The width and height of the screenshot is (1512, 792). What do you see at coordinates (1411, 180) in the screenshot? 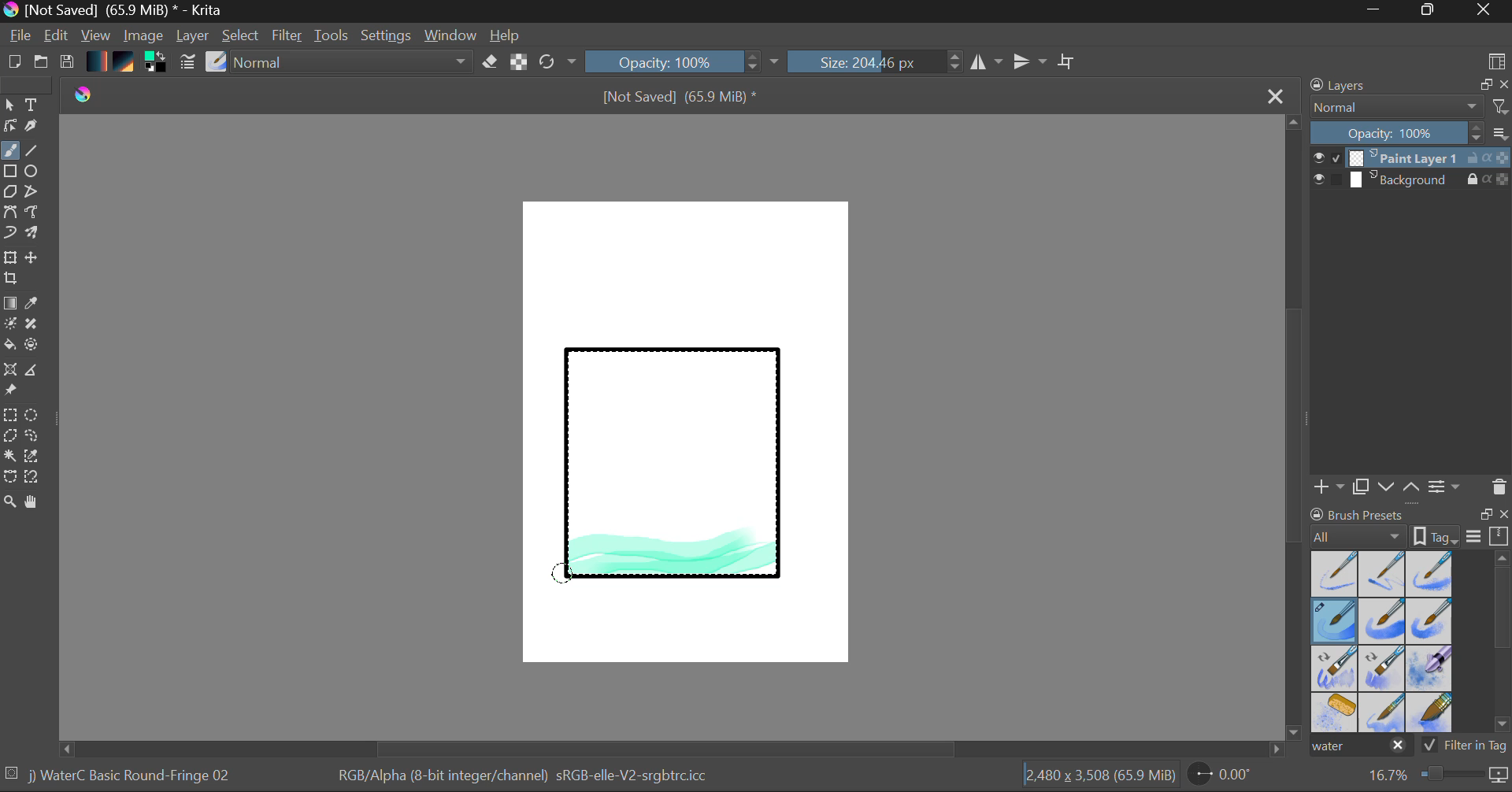
I see `Background Layer` at bounding box center [1411, 180].